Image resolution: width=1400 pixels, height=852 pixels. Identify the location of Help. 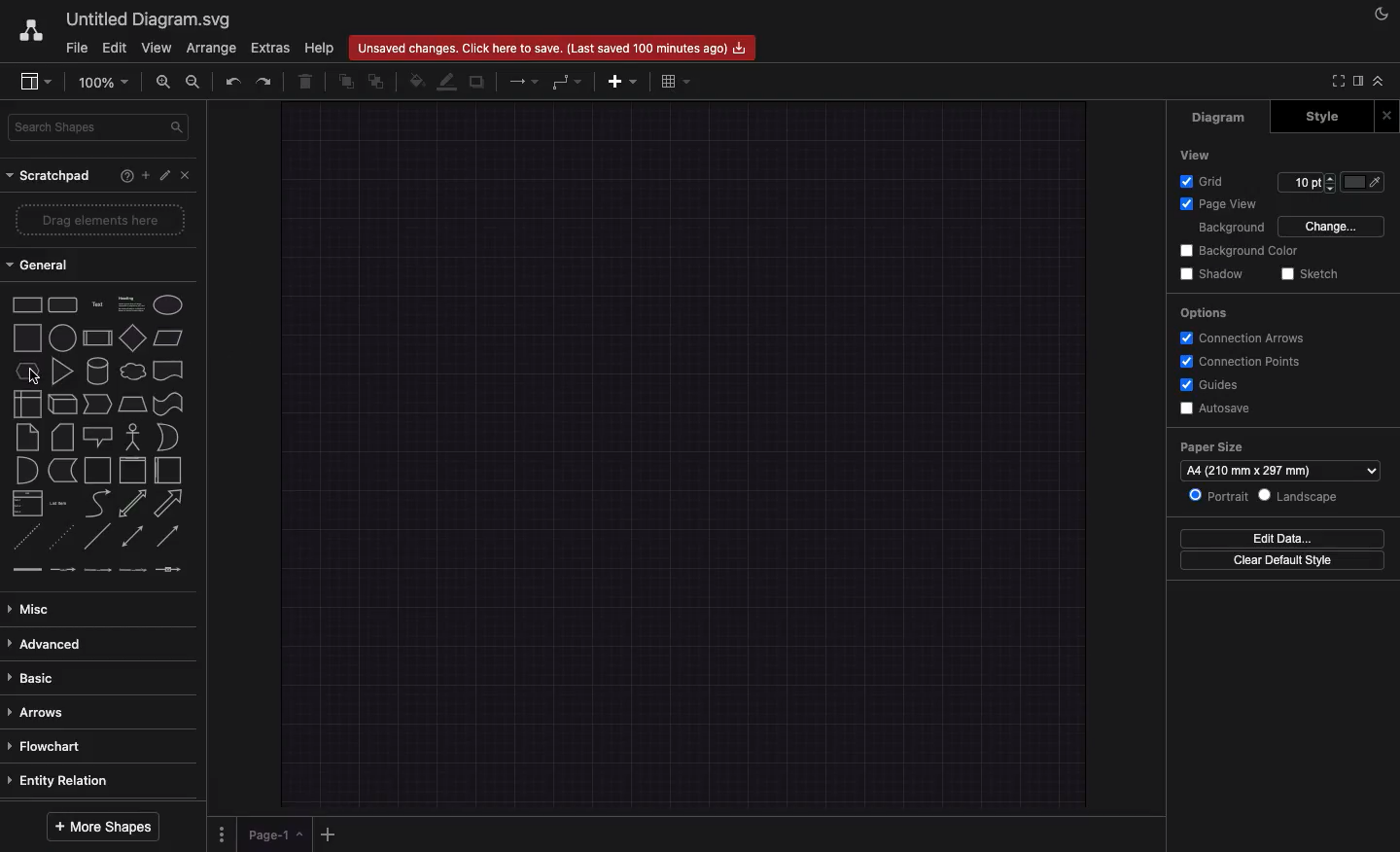
(126, 175).